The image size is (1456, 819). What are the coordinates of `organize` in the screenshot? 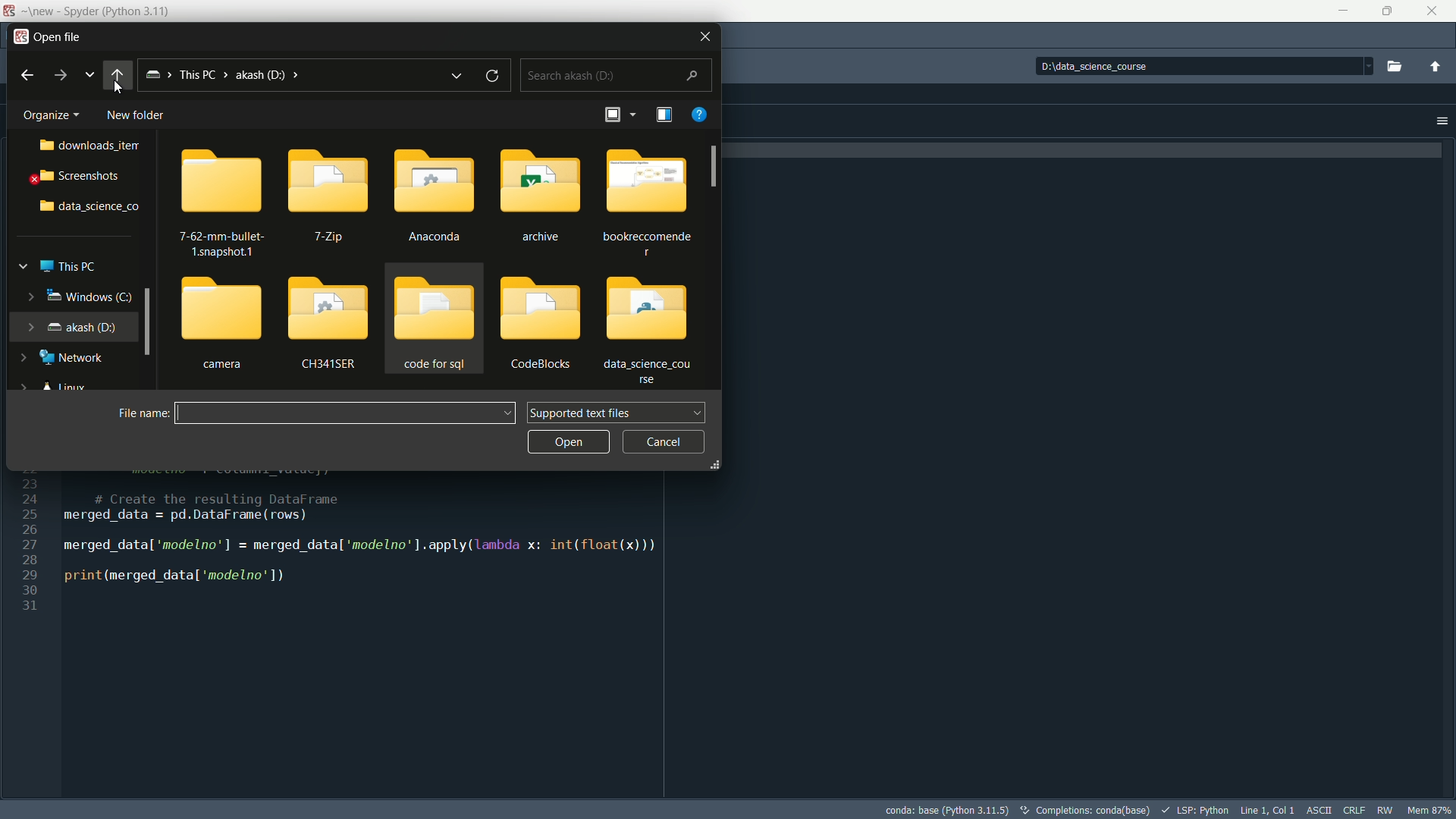 It's located at (50, 112).